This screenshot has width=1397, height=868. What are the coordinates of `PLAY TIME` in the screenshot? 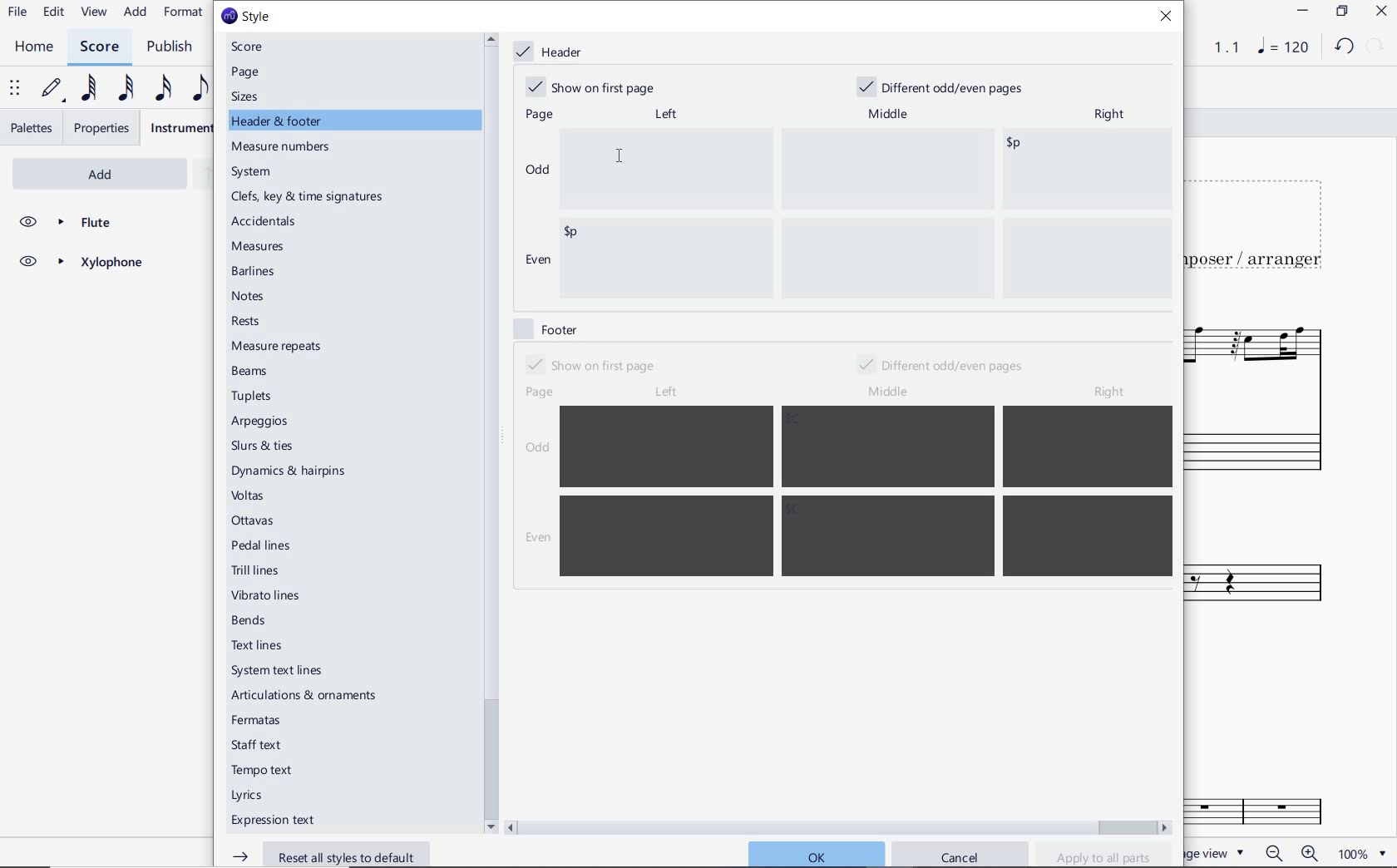 It's located at (1217, 47).